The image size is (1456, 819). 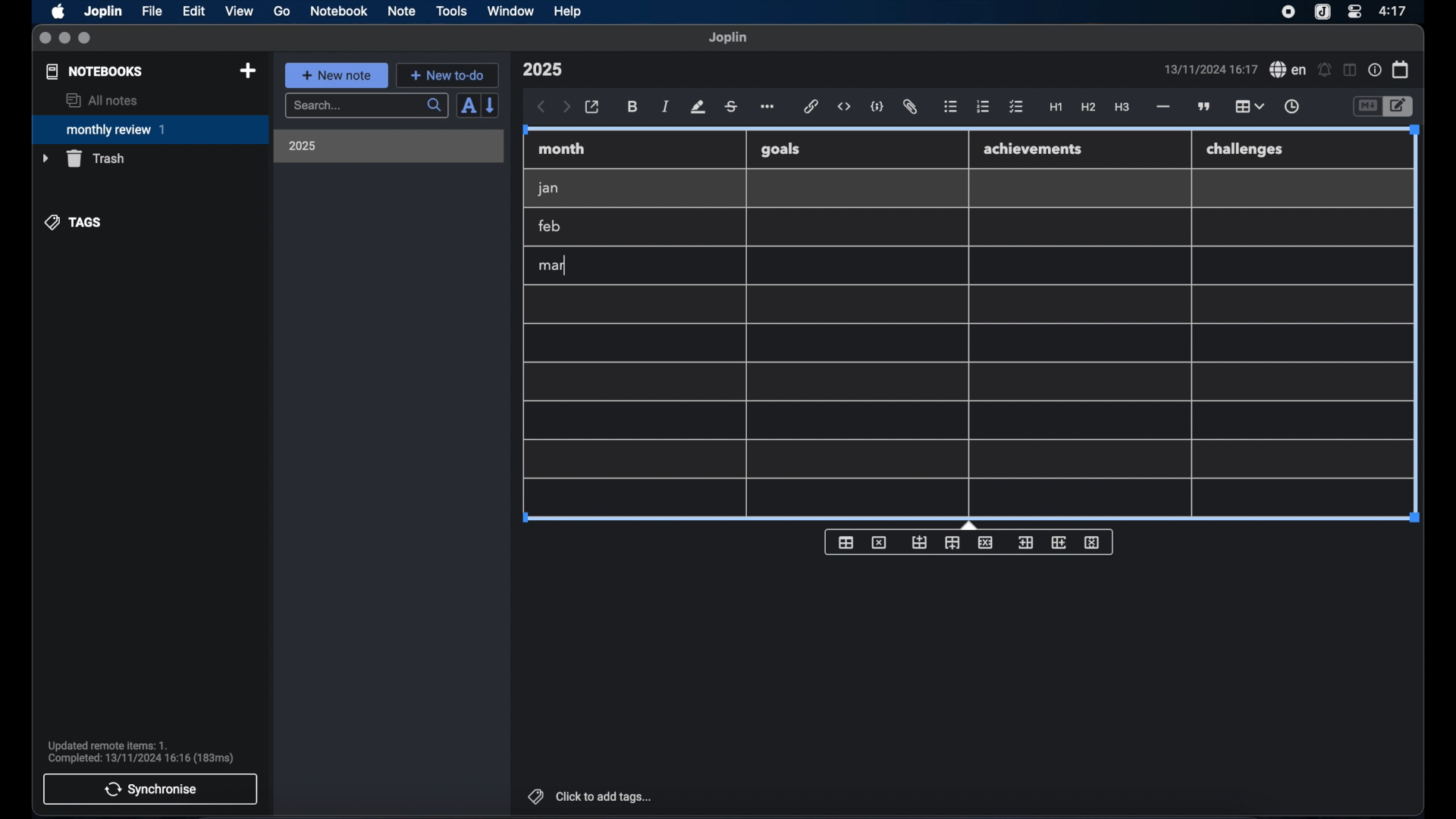 What do you see at coordinates (448, 75) in the screenshot?
I see `new to-do` at bounding box center [448, 75].